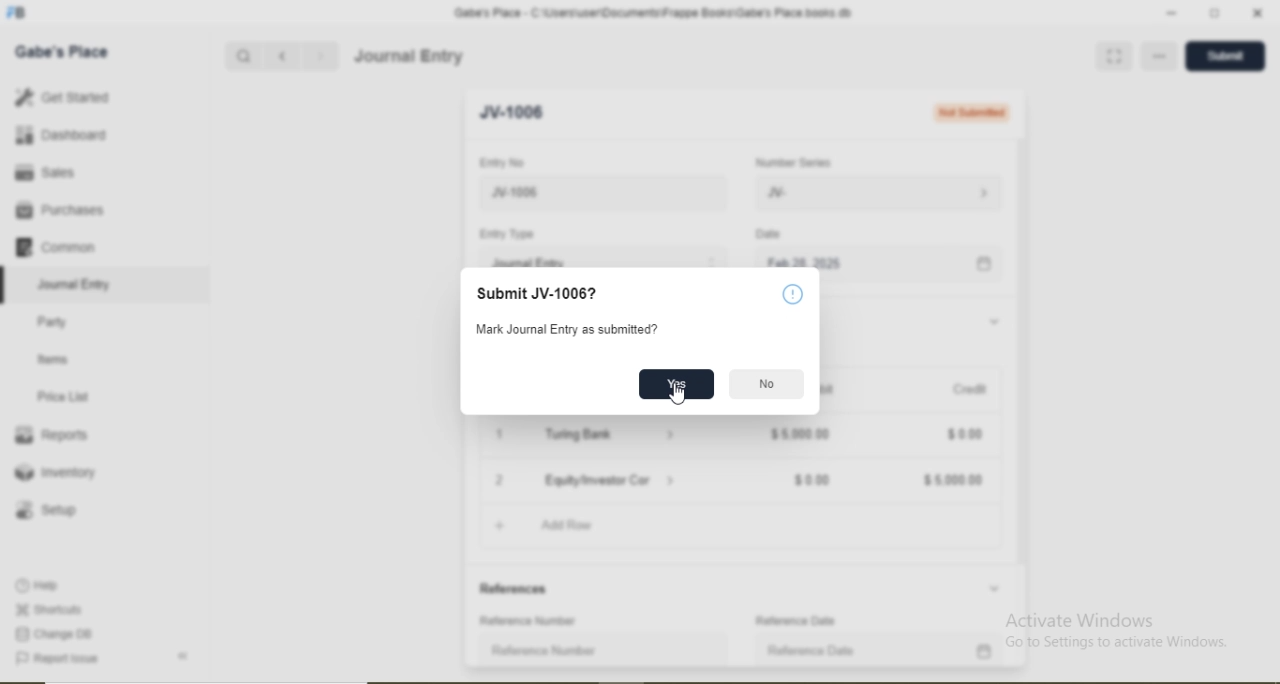 This screenshot has height=684, width=1280. I want to click on Credit, so click(970, 389).